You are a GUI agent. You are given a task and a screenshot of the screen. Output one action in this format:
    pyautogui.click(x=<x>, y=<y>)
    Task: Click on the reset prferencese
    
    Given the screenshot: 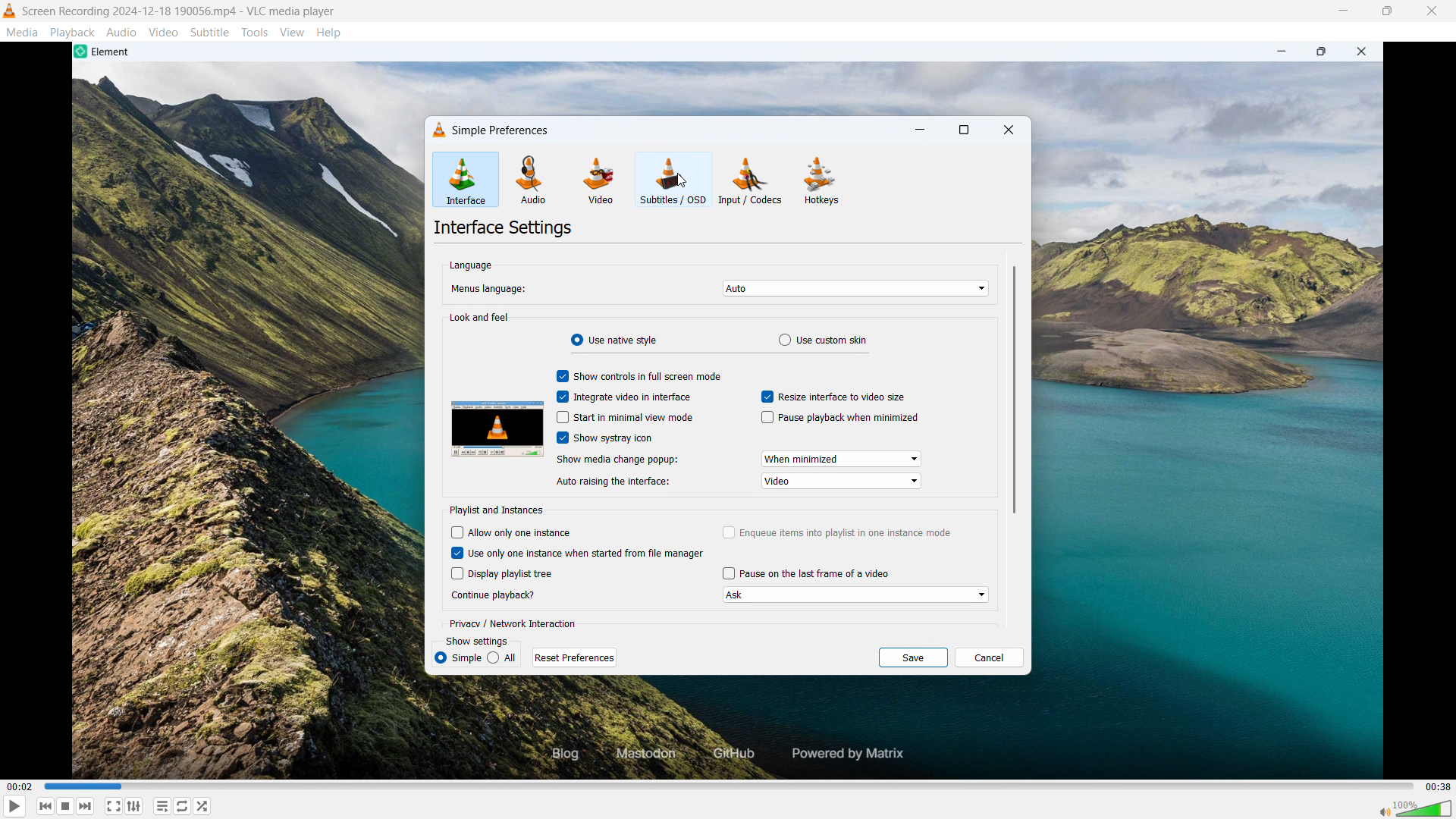 What is the action you would take?
    pyautogui.click(x=575, y=657)
    